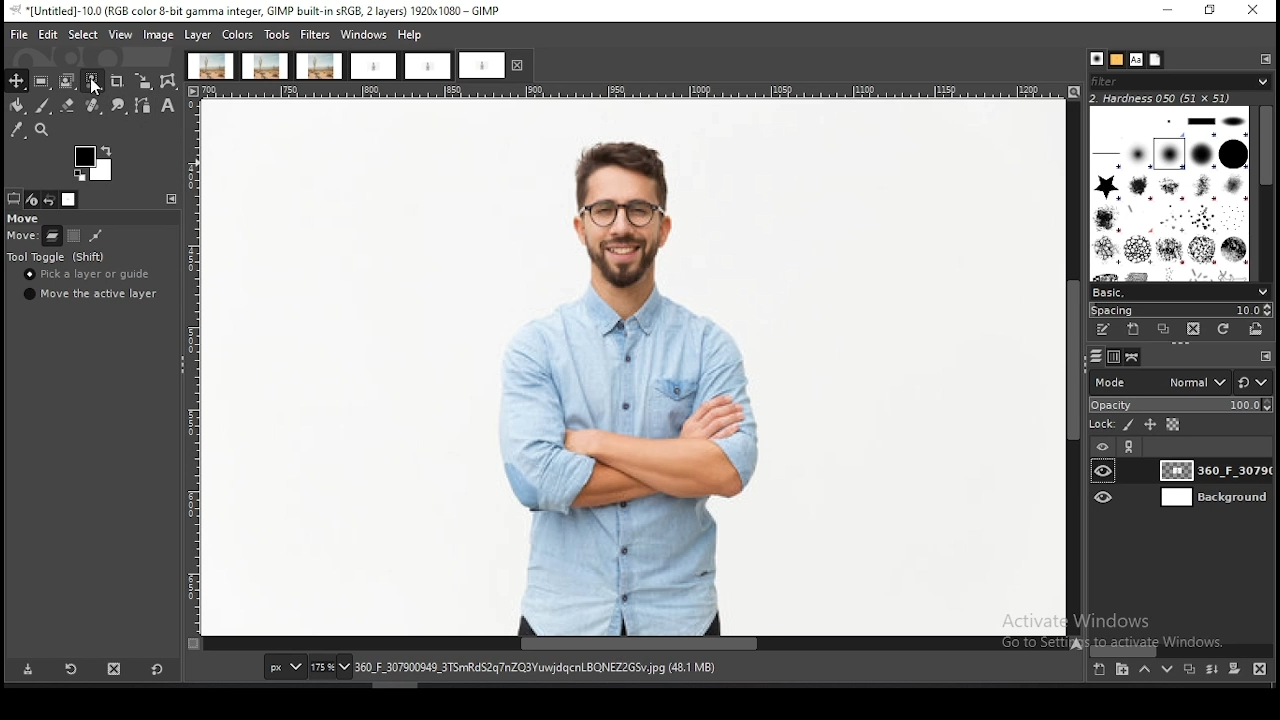  I want to click on colors, so click(237, 35).